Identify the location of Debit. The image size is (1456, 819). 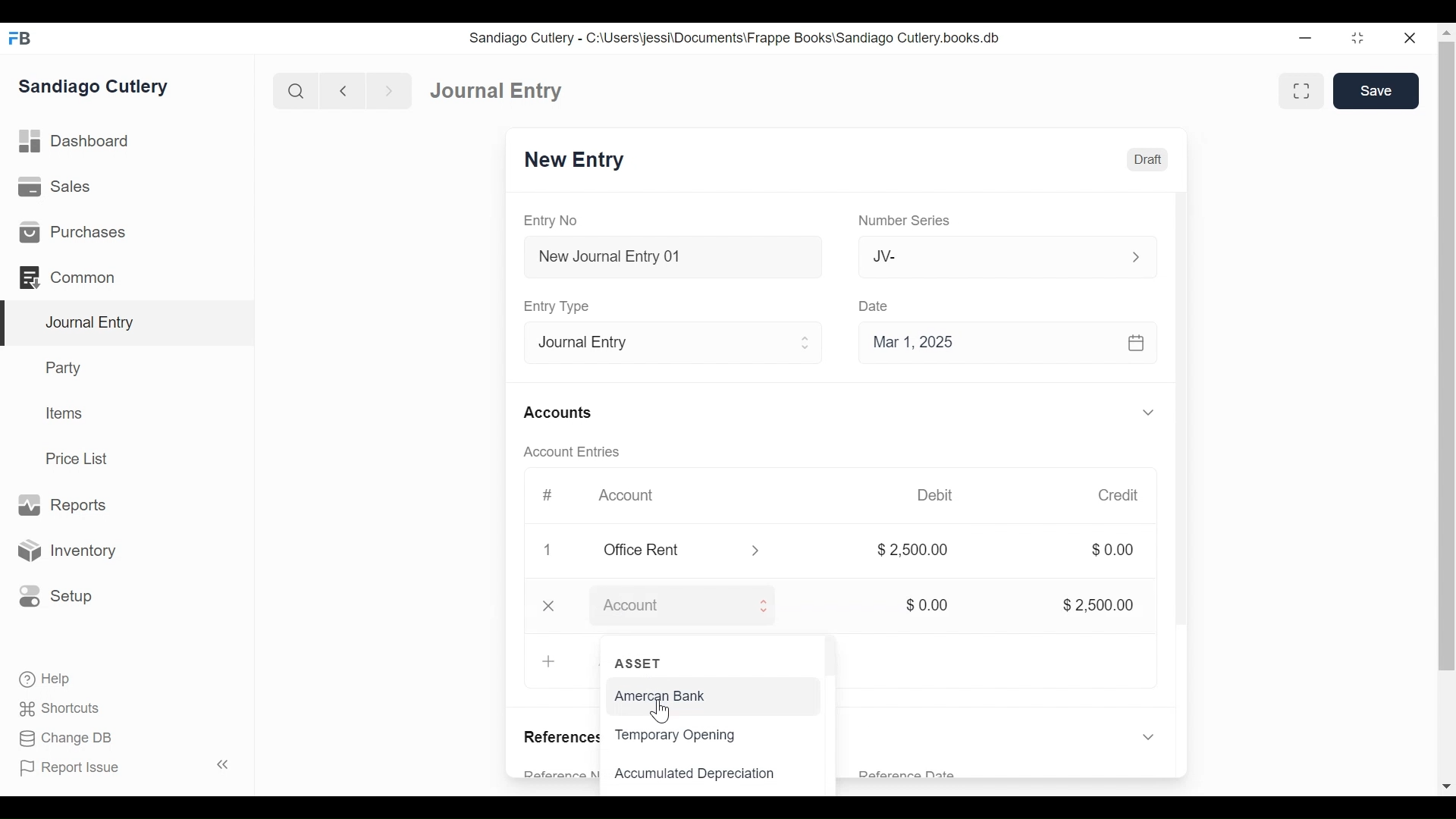
(948, 495).